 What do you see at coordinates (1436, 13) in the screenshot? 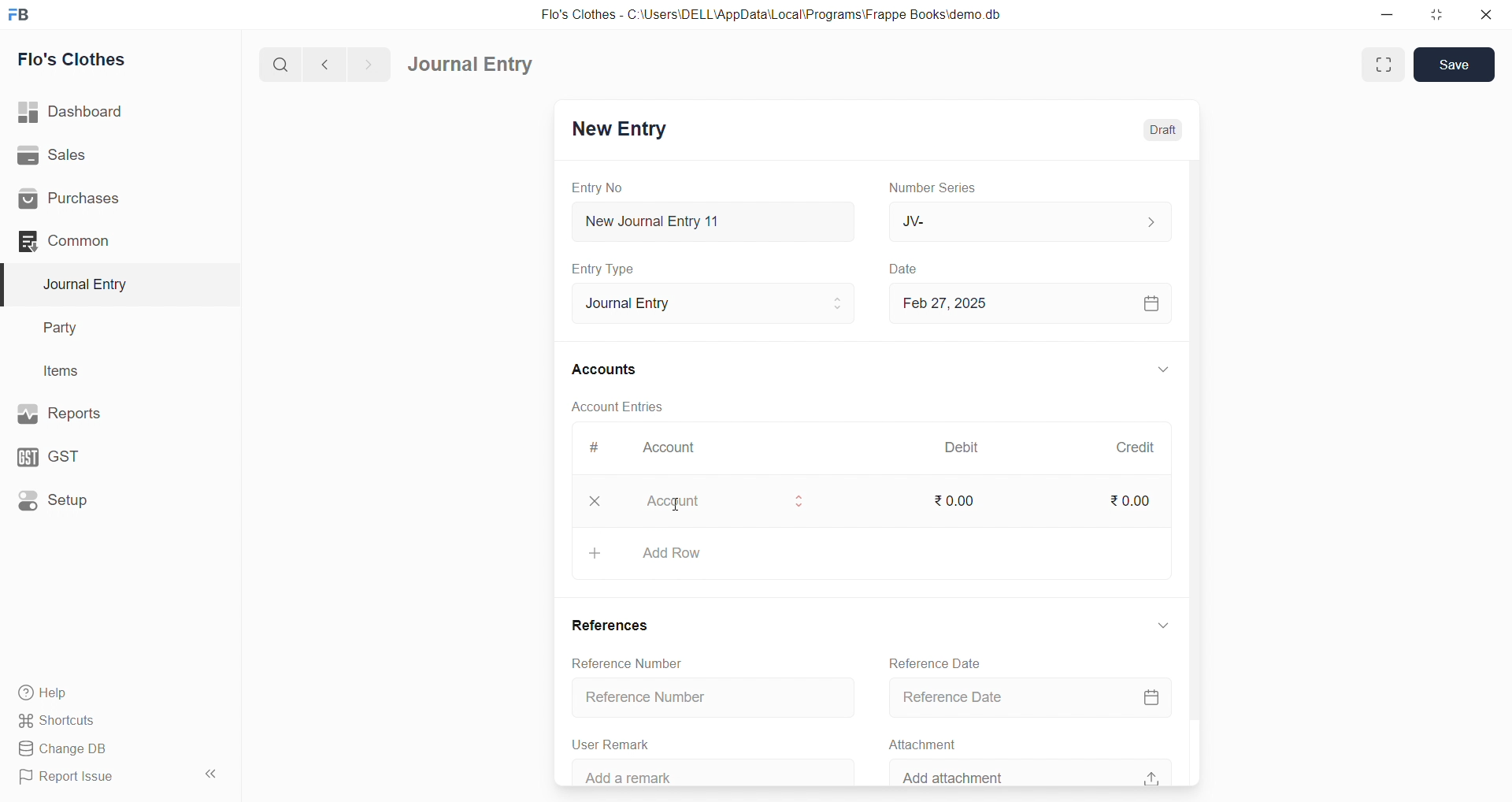
I see `resize` at bounding box center [1436, 13].